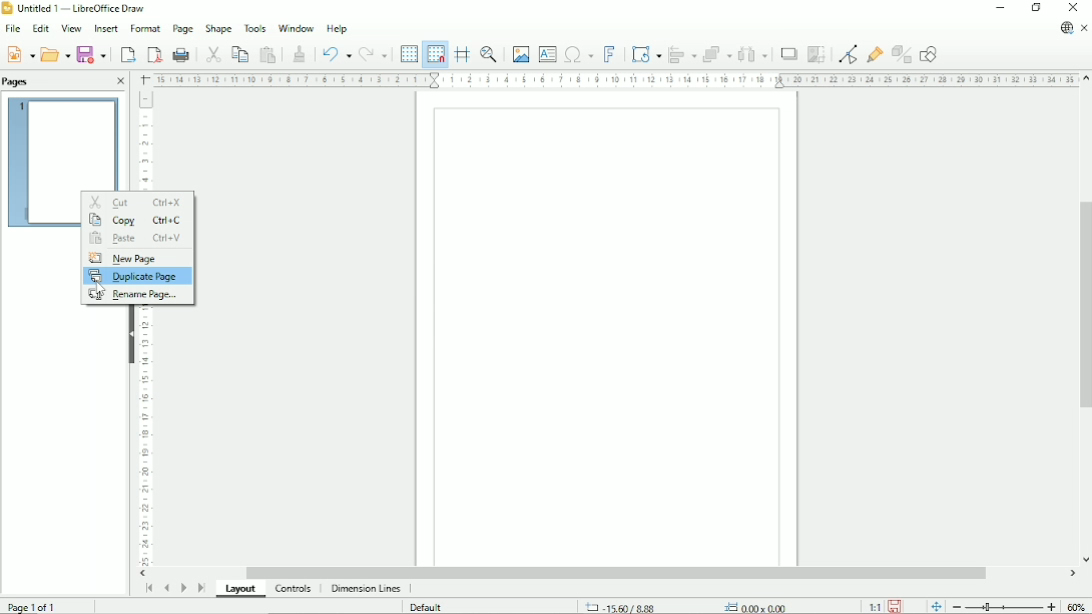  What do you see at coordinates (144, 29) in the screenshot?
I see `Format` at bounding box center [144, 29].